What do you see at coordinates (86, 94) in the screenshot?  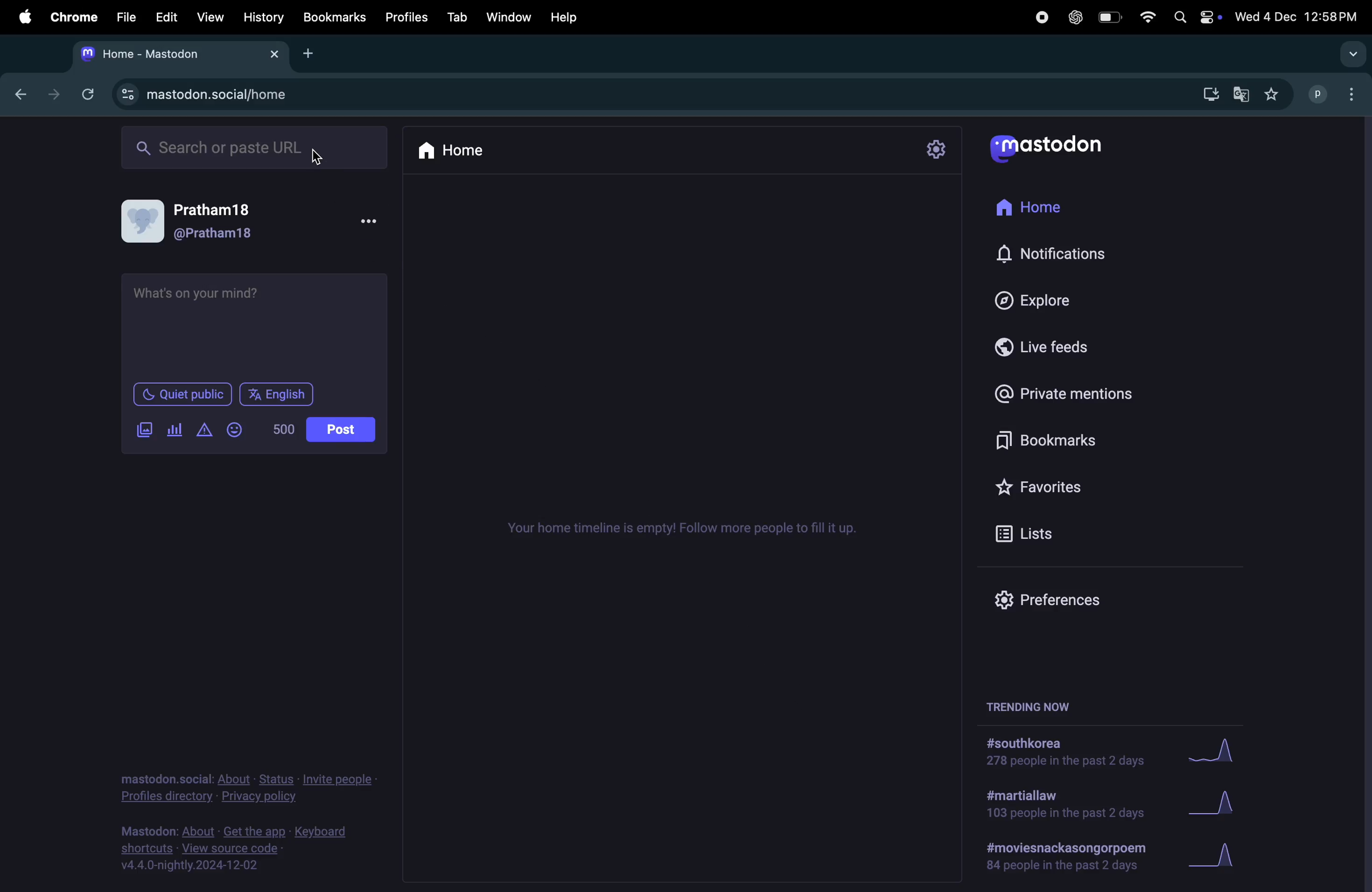 I see `refresh` at bounding box center [86, 94].